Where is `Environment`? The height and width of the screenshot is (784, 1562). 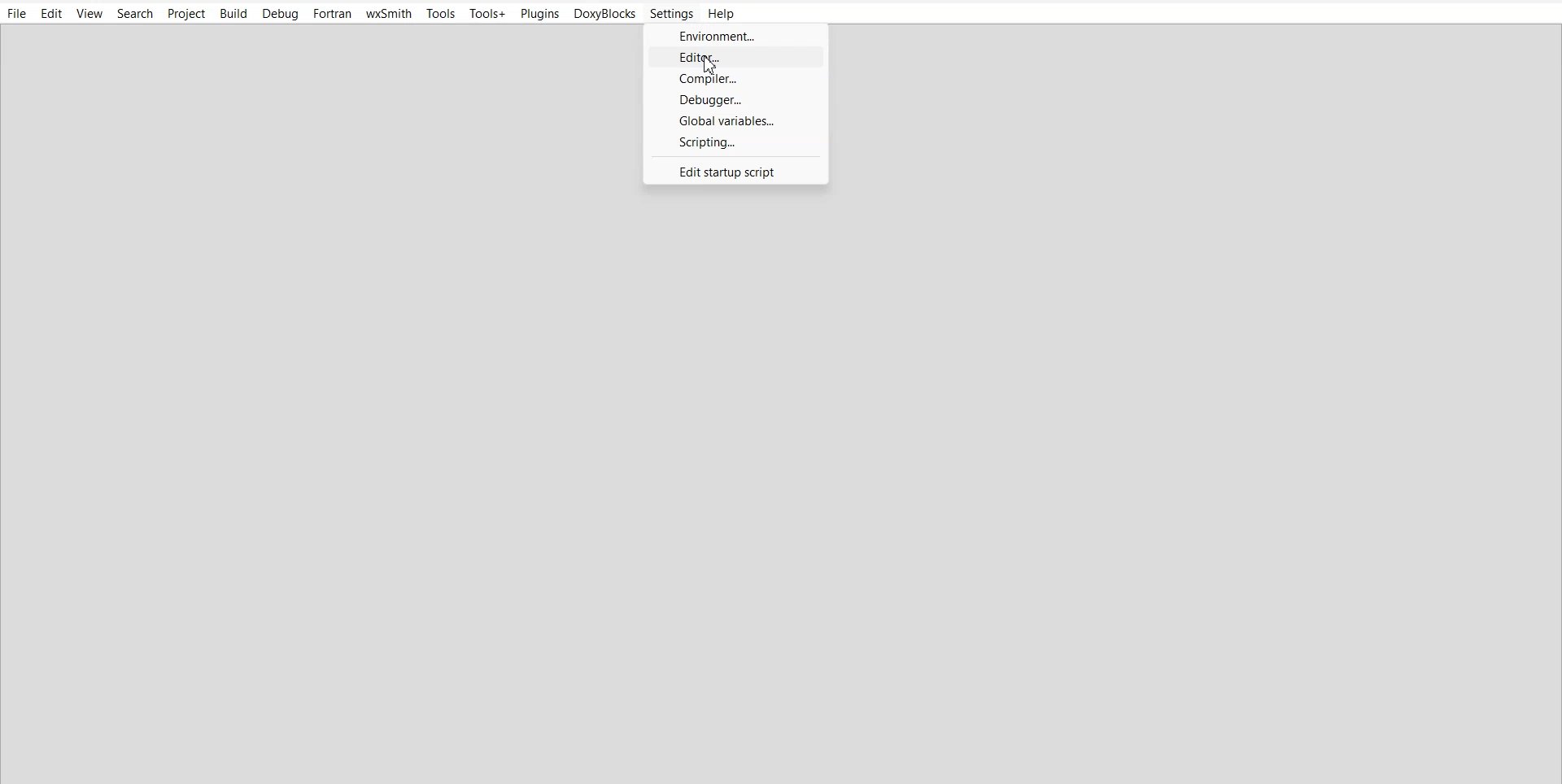 Environment is located at coordinates (735, 36).